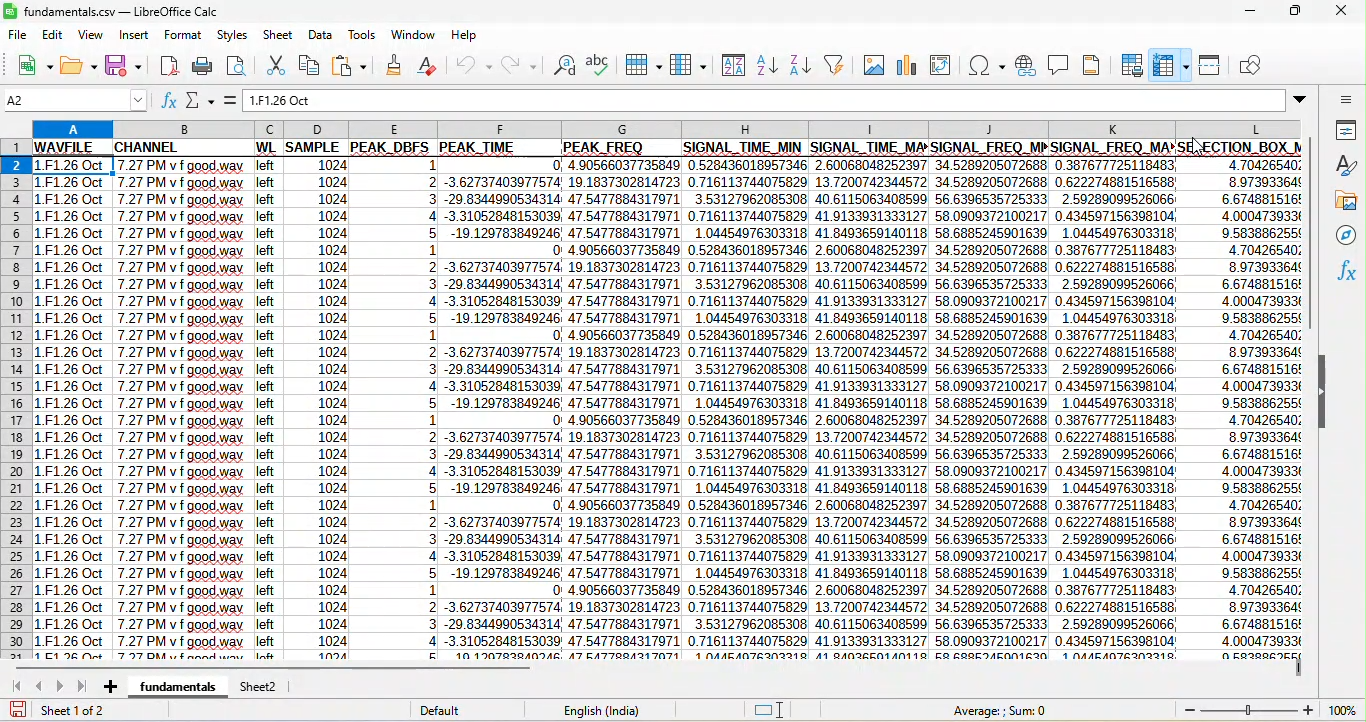 The image size is (1366, 722). I want to click on image, so click(870, 63).